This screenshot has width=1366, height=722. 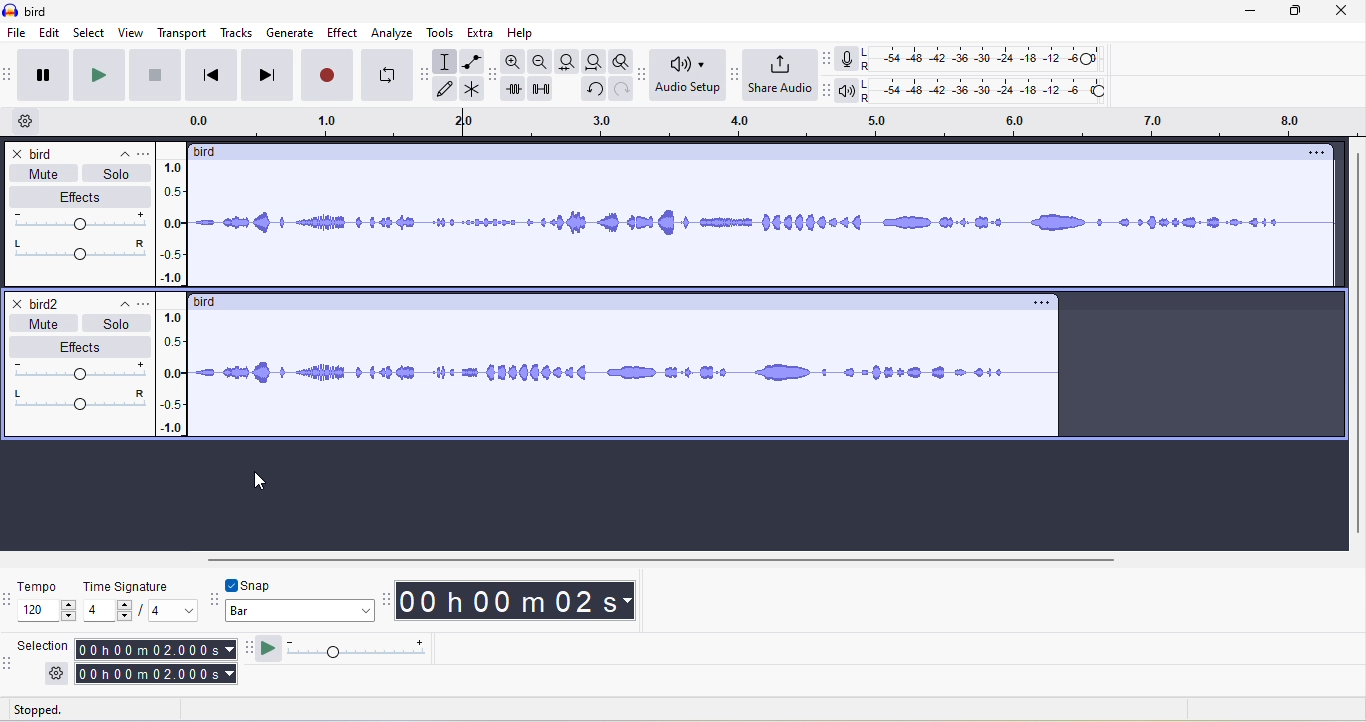 What do you see at coordinates (514, 61) in the screenshot?
I see `zoom in` at bounding box center [514, 61].